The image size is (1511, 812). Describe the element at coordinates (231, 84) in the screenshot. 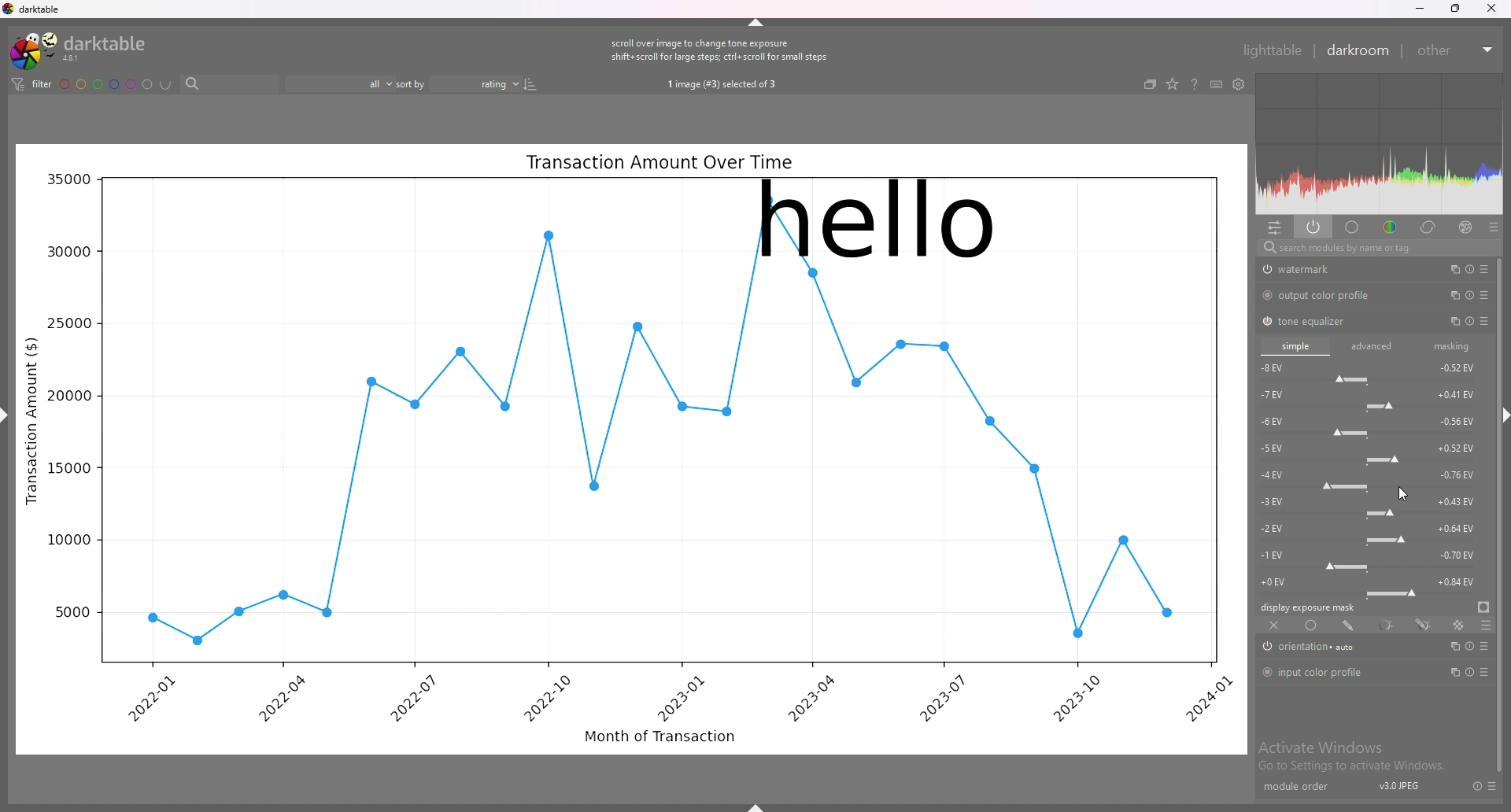

I see `search bar` at that location.